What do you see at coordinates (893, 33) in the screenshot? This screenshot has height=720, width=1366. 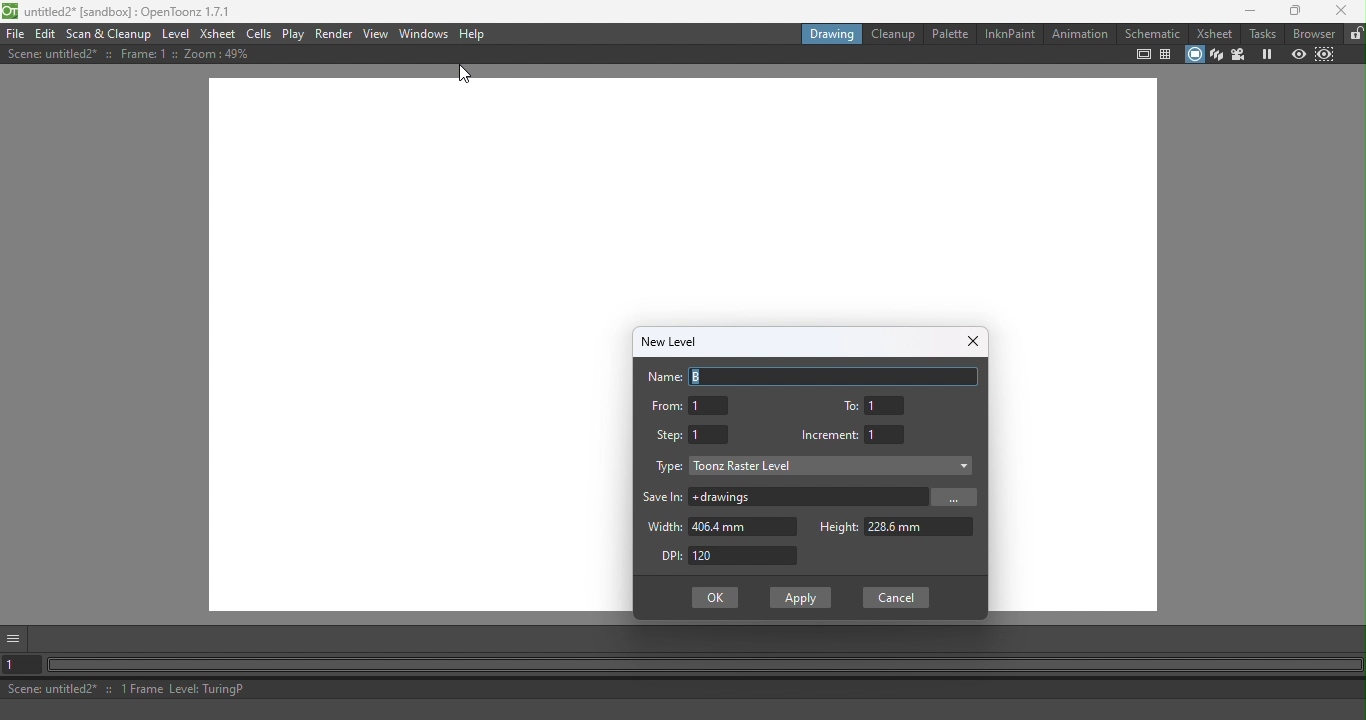 I see `Cleanup` at bounding box center [893, 33].